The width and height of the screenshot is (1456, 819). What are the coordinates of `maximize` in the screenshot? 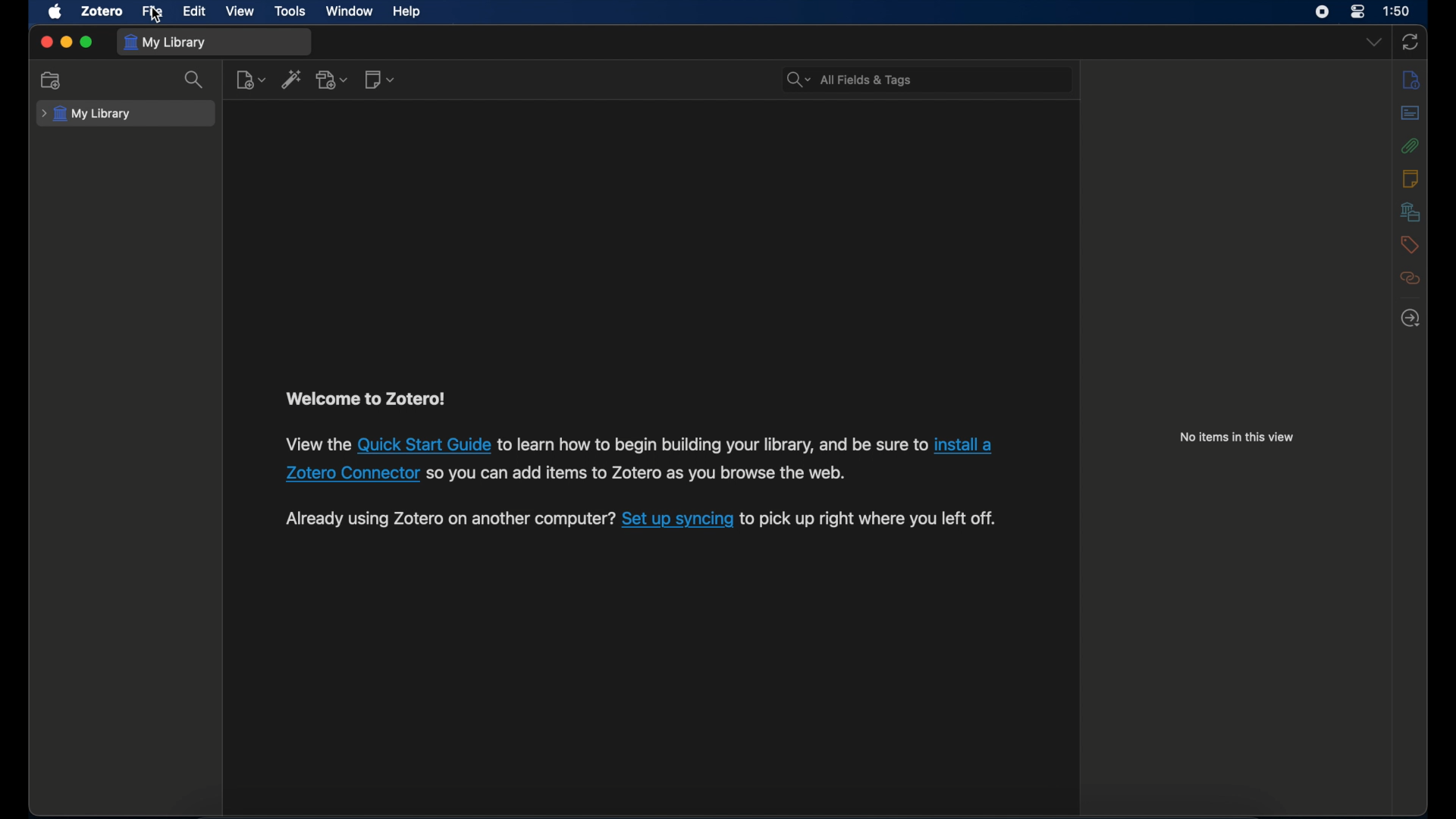 It's located at (86, 43).